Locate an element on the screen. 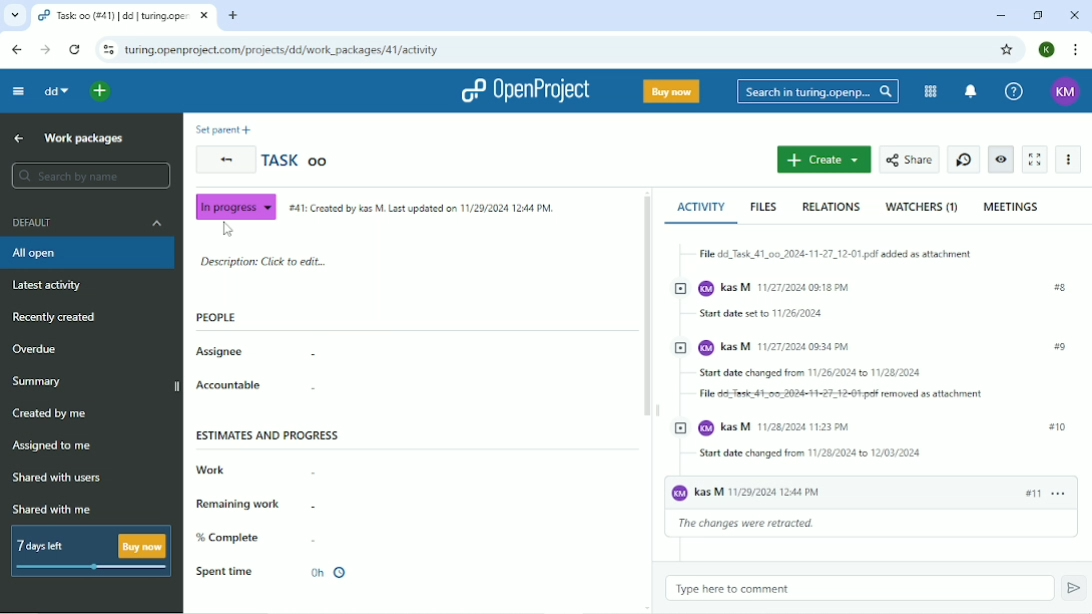  Created by and on is located at coordinates (422, 208).